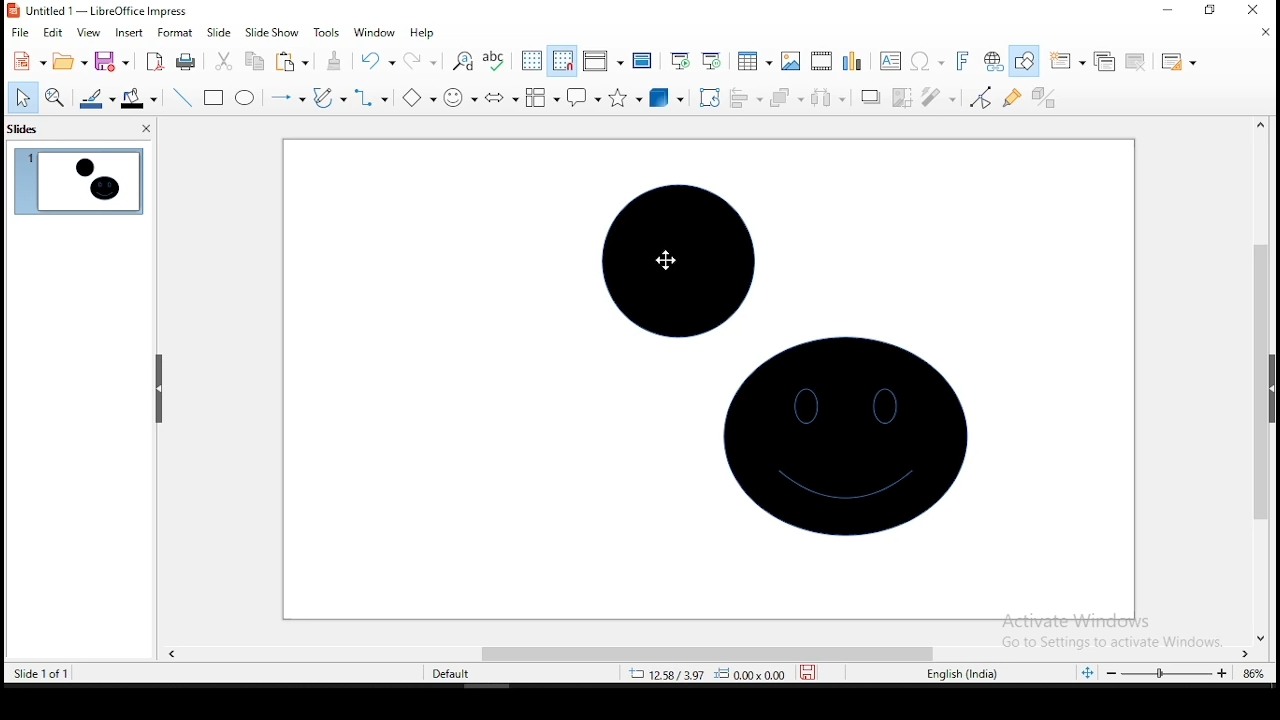  I want to click on crop image, so click(902, 97).